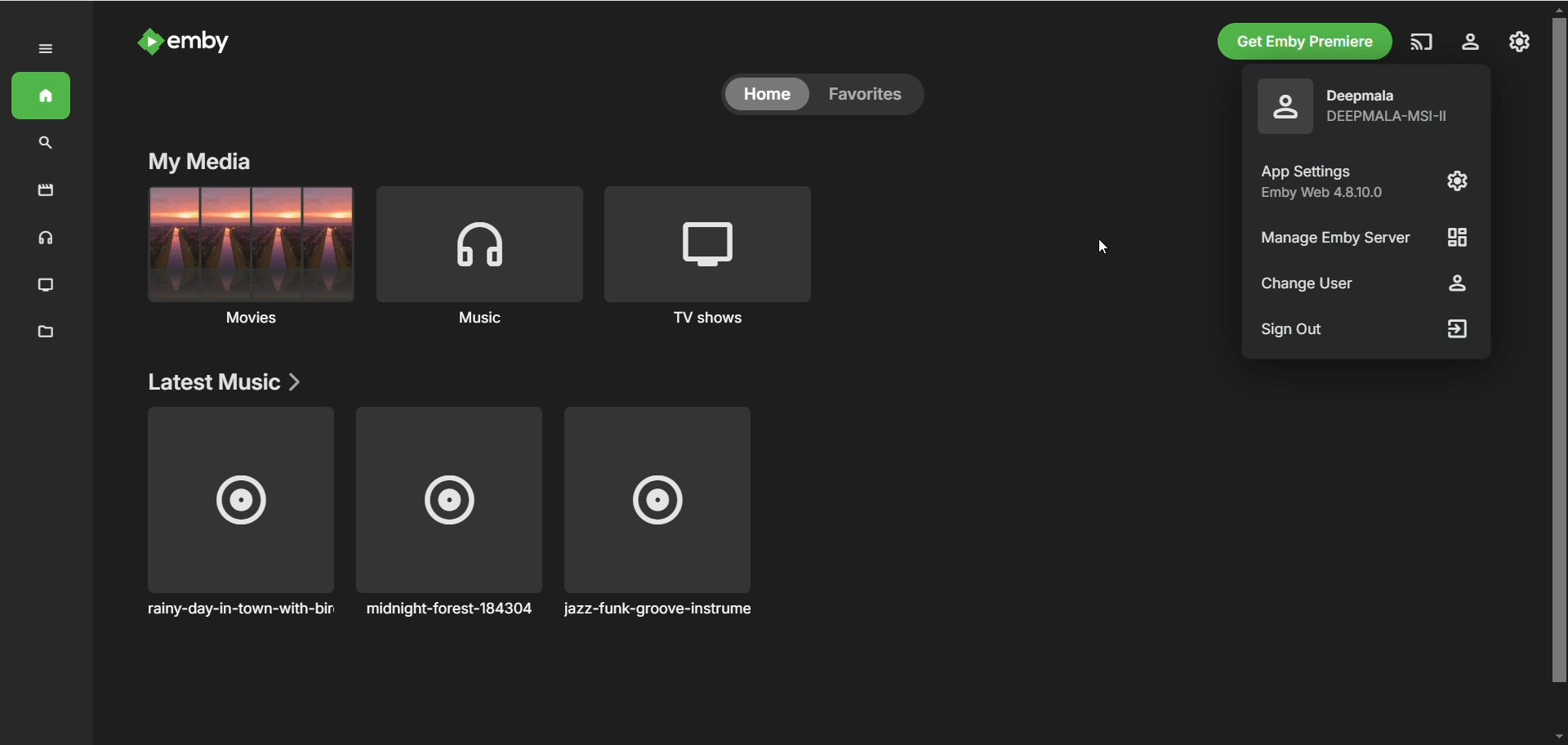  Describe the element at coordinates (766, 96) in the screenshot. I see `home` at that location.